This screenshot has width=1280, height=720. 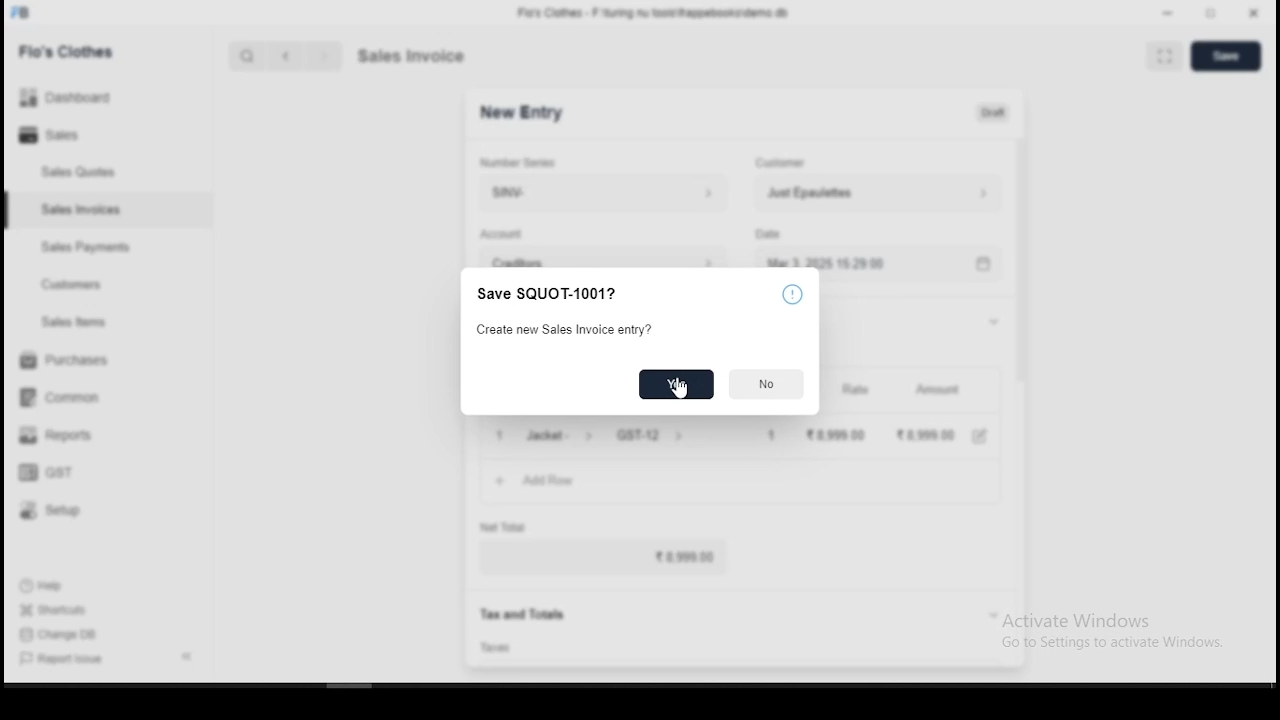 What do you see at coordinates (48, 585) in the screenshot?
I see `help` at bounding box center [48, 585].